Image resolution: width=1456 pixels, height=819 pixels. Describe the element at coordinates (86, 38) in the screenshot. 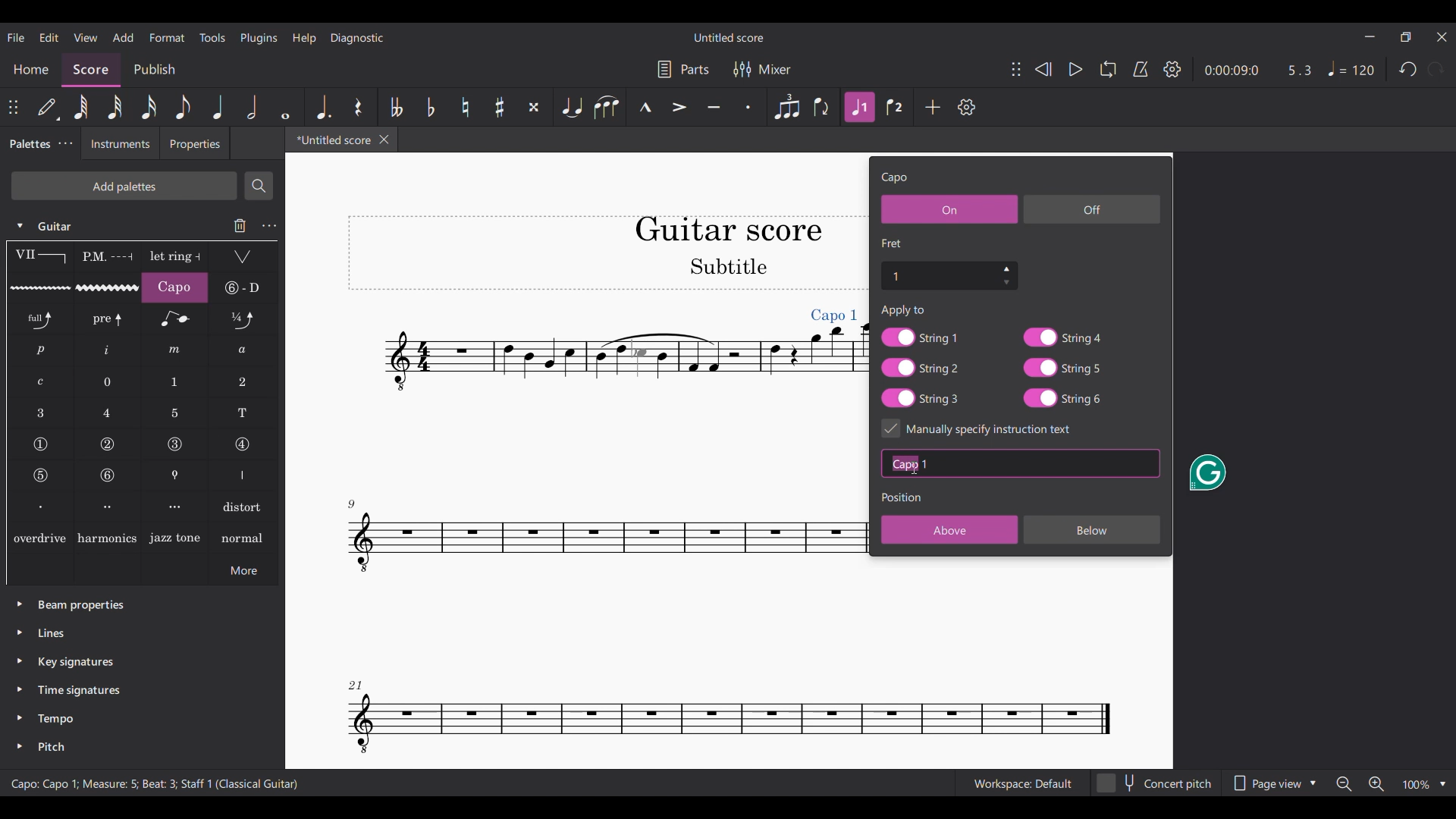

I see `View menu` at that location.